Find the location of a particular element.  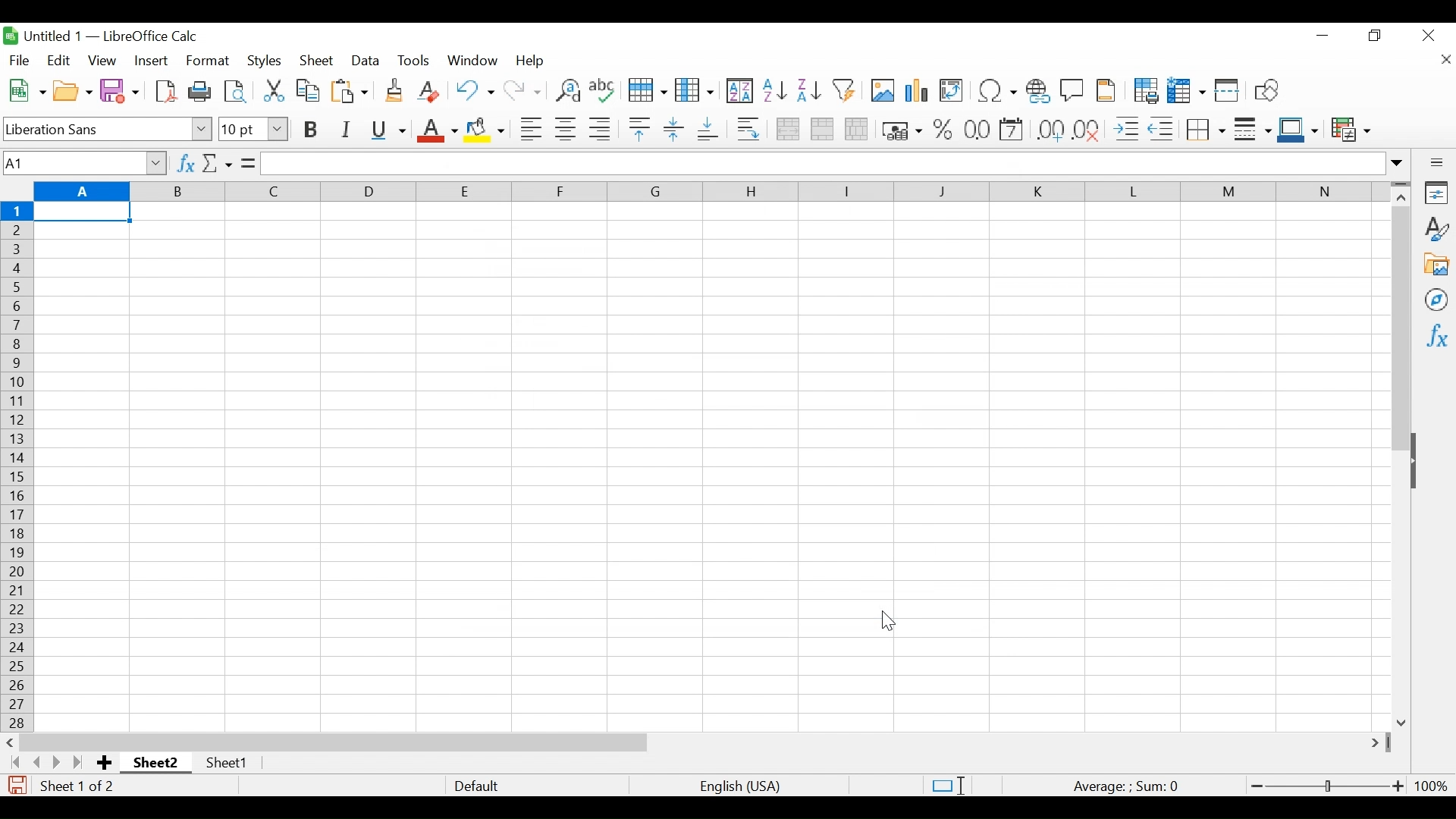

Split Window is located at coordinates (1227, 91).